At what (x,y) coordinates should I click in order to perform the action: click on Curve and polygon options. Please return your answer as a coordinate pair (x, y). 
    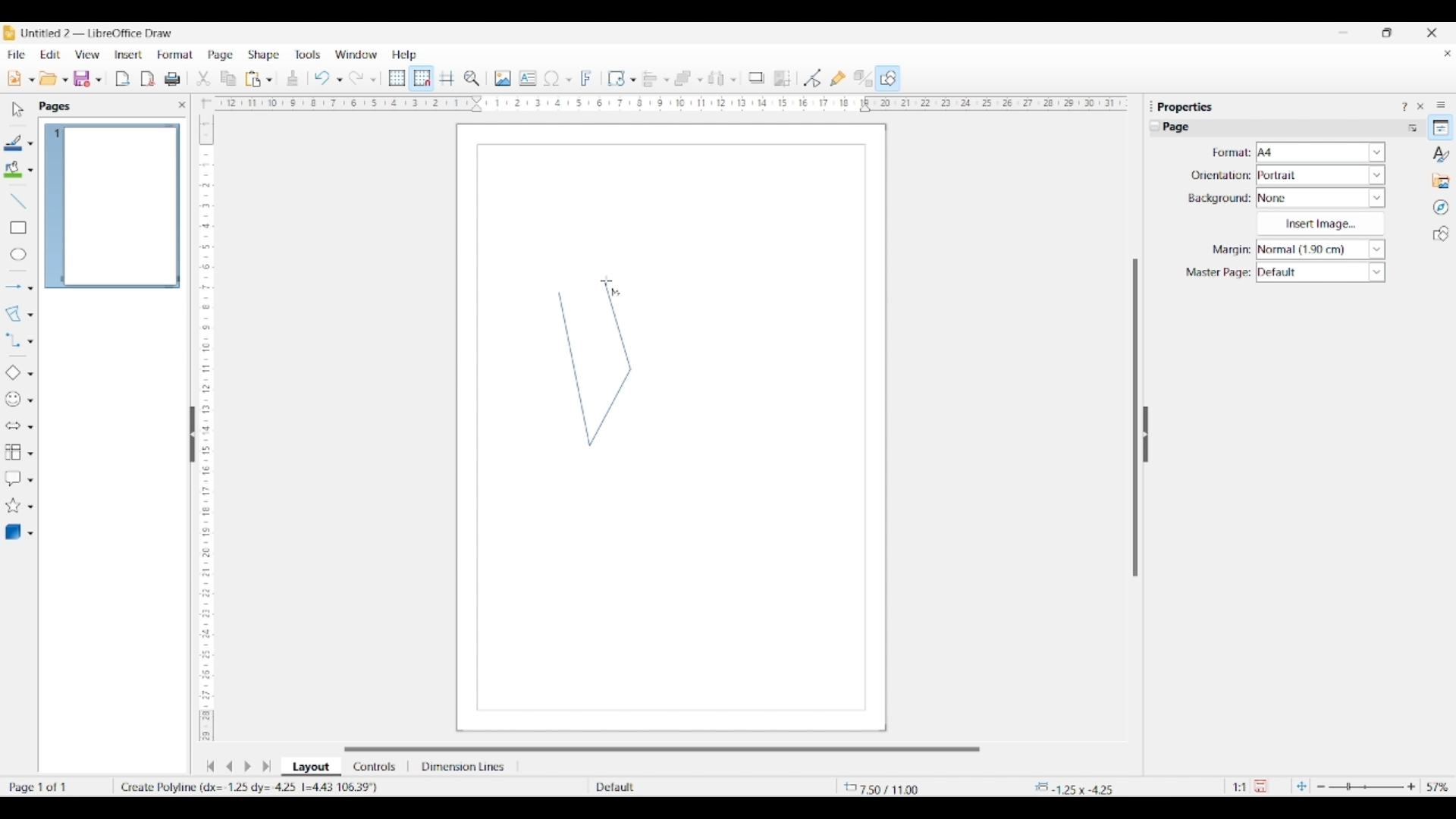
    Looking at the image, I should click on (30, 315).